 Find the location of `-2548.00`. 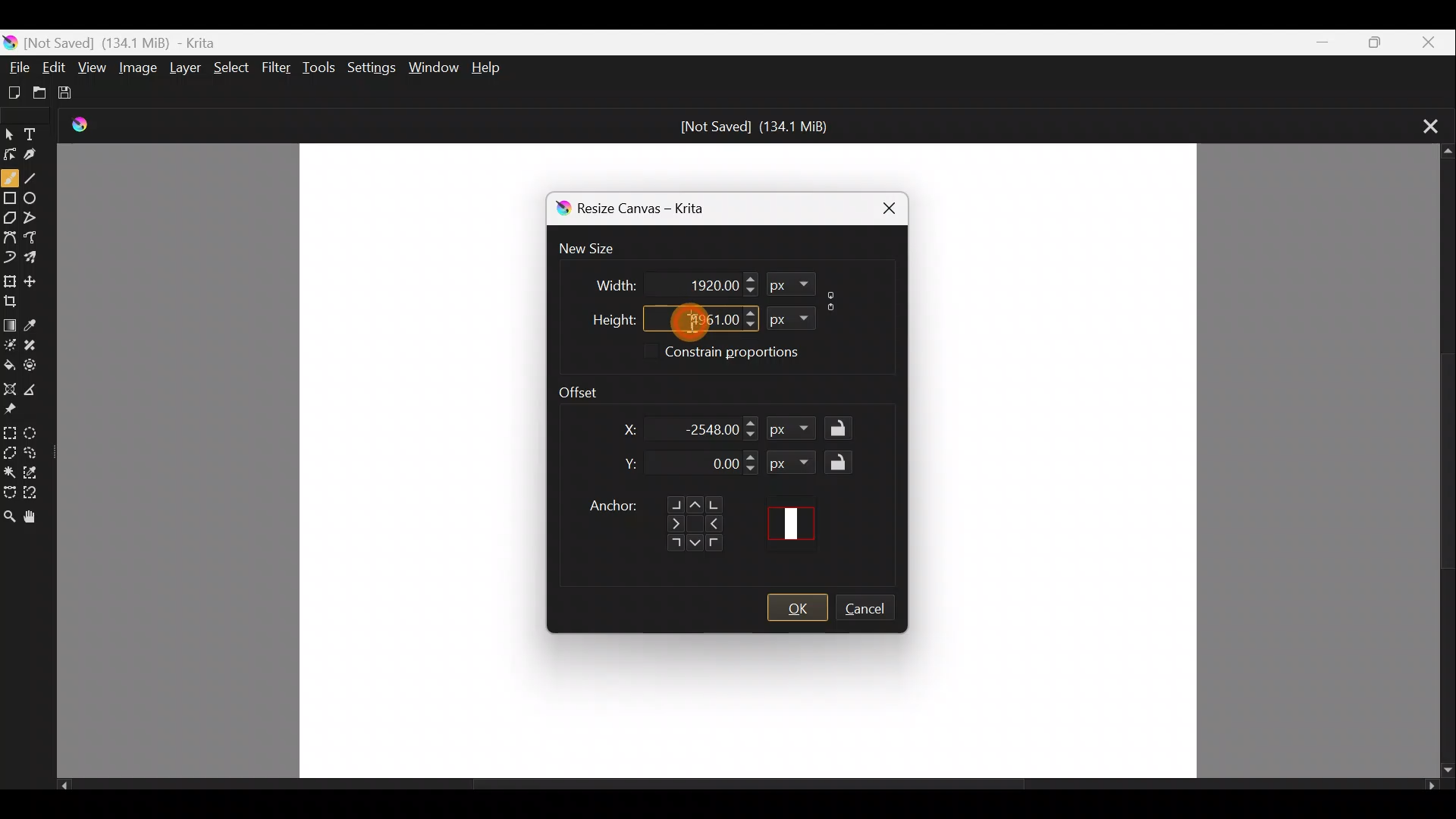

-2548.00 is located at coordinates (710, 428).